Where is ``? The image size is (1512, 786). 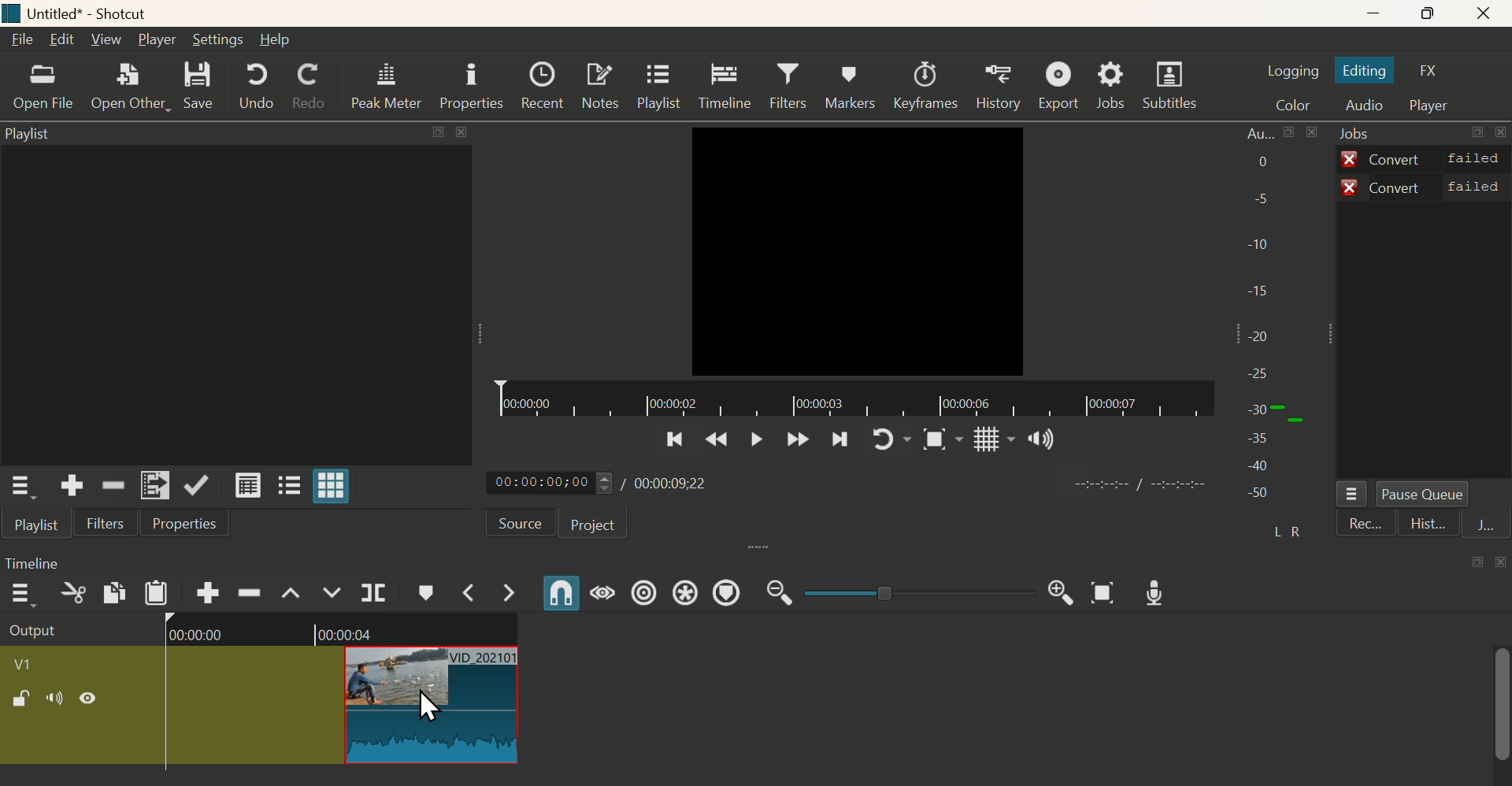
 is located at coordinates (1411, 495).